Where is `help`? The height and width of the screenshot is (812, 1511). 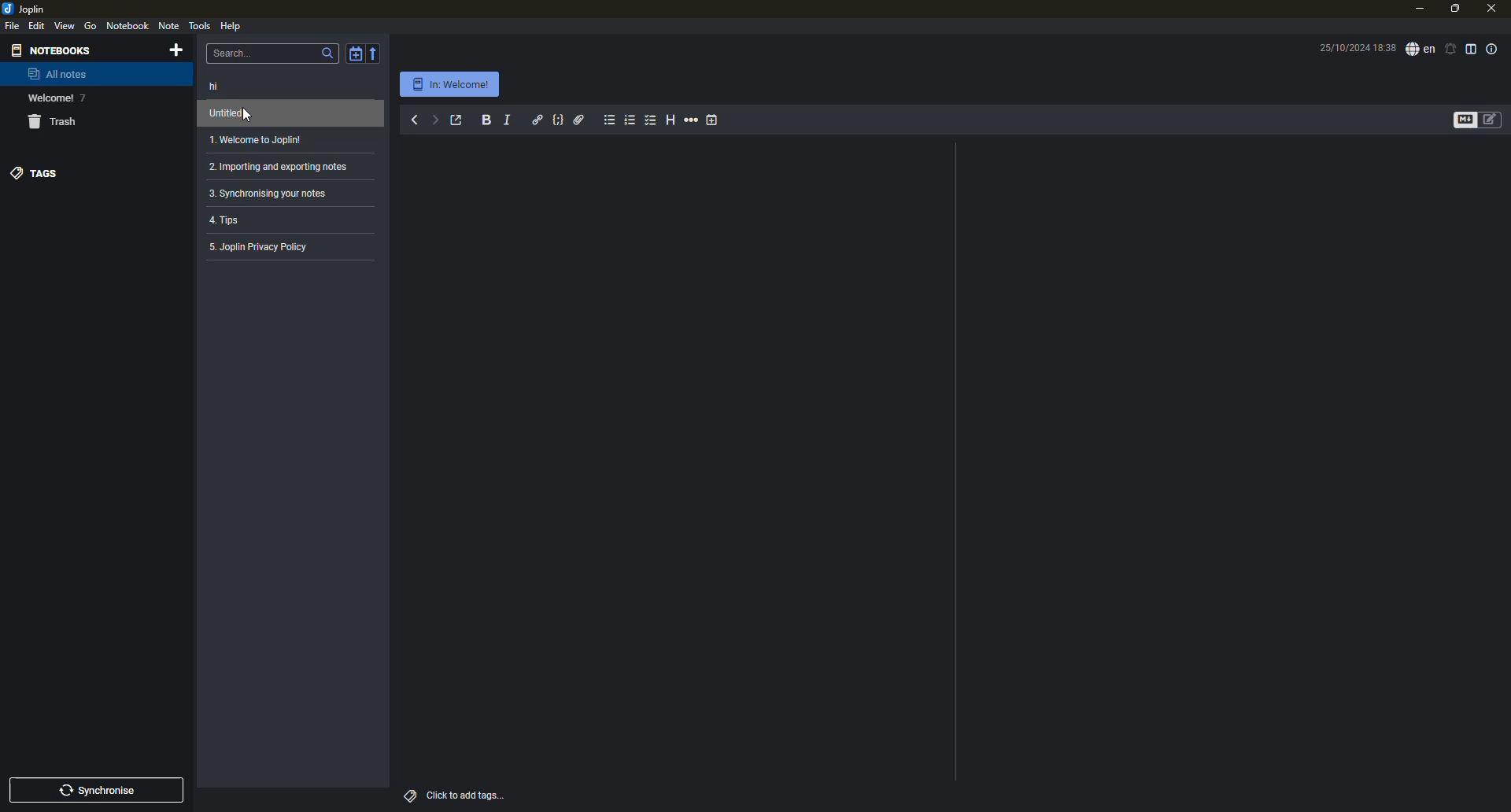
help is located at coordinates (233, 27).